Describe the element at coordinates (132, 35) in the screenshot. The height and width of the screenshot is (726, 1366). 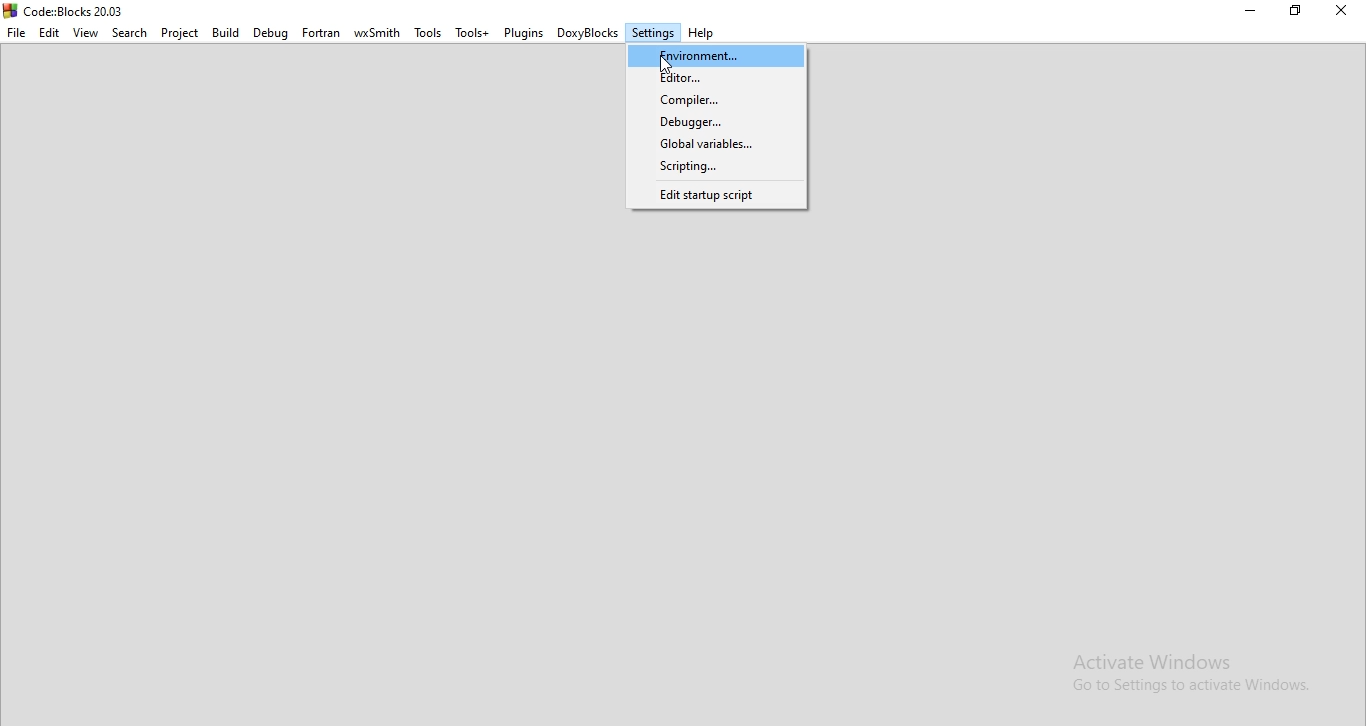
I see `Select` at that location.